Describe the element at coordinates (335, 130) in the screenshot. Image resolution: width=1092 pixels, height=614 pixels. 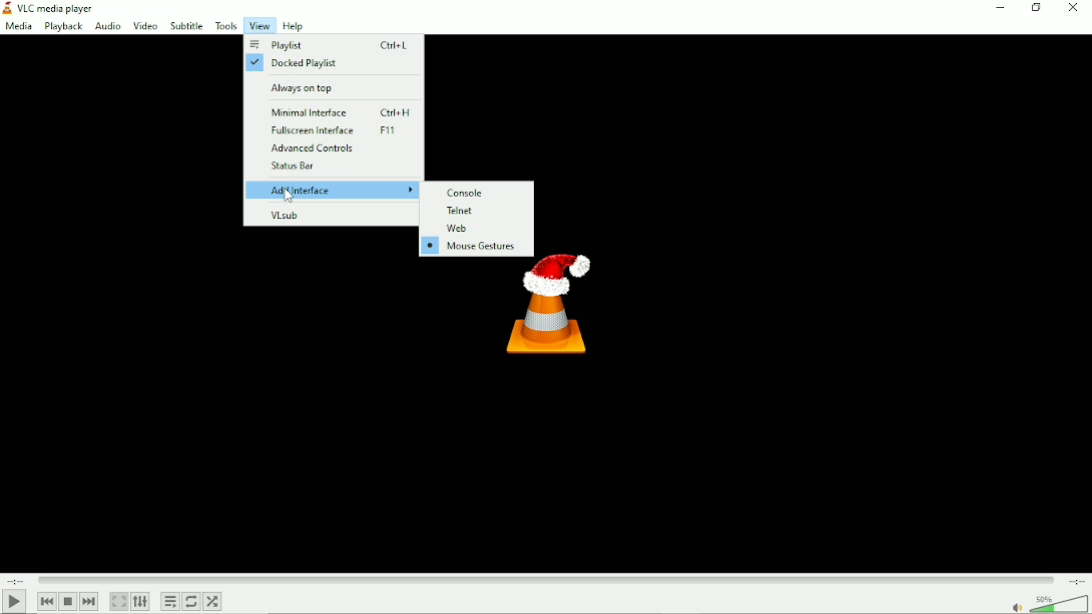
I see `Fullscreen interface` at that location.